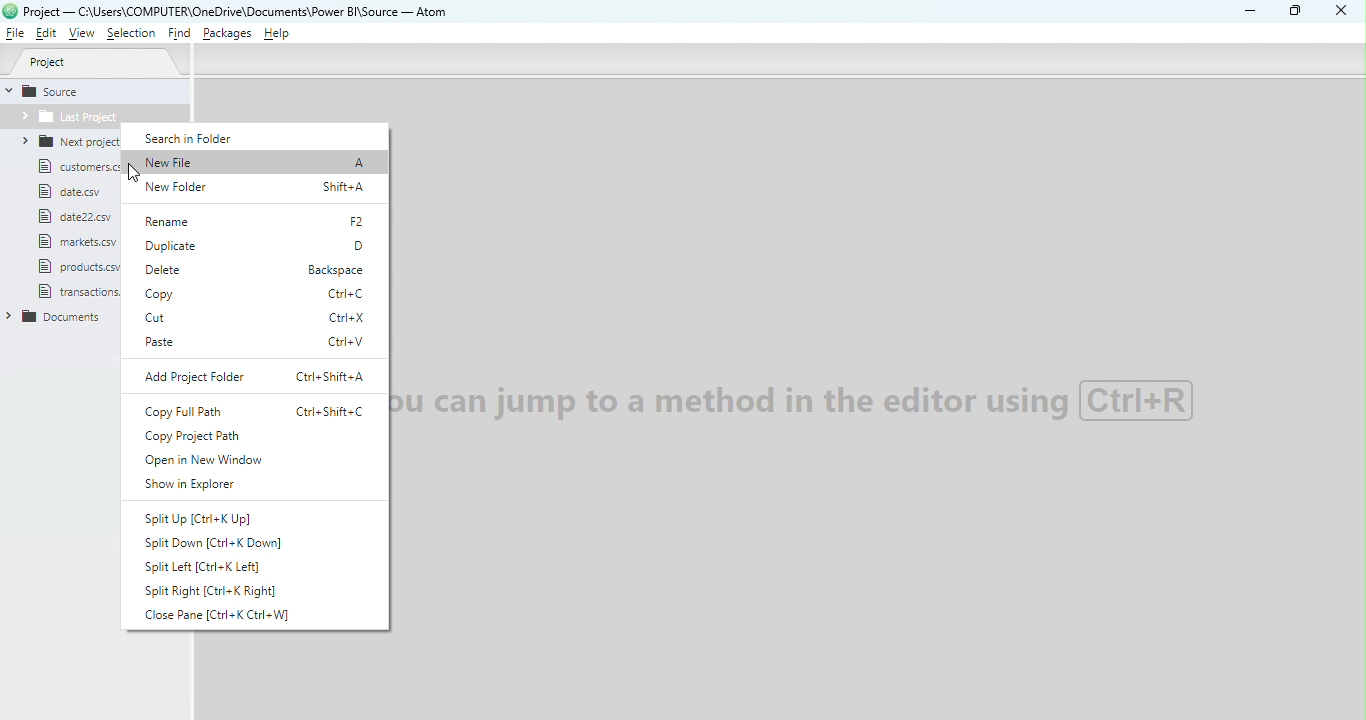  What do you see at coordinates (258, 270) in the screenshot?
I see `Delete` at bounding box center [258, 270].